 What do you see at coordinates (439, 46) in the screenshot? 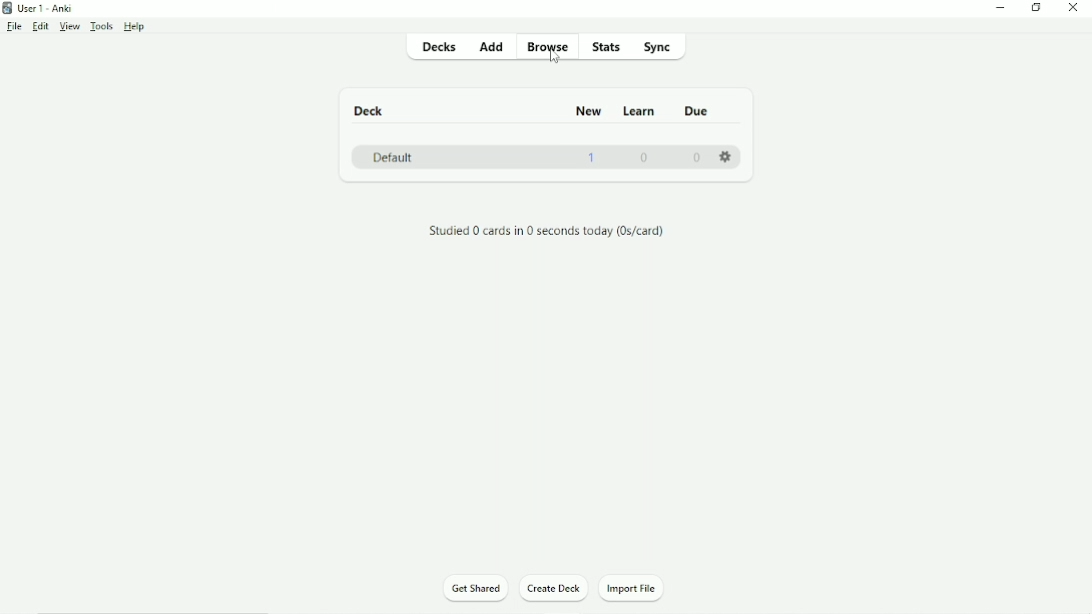
I see `Decks` at bounding box center [439, 46].